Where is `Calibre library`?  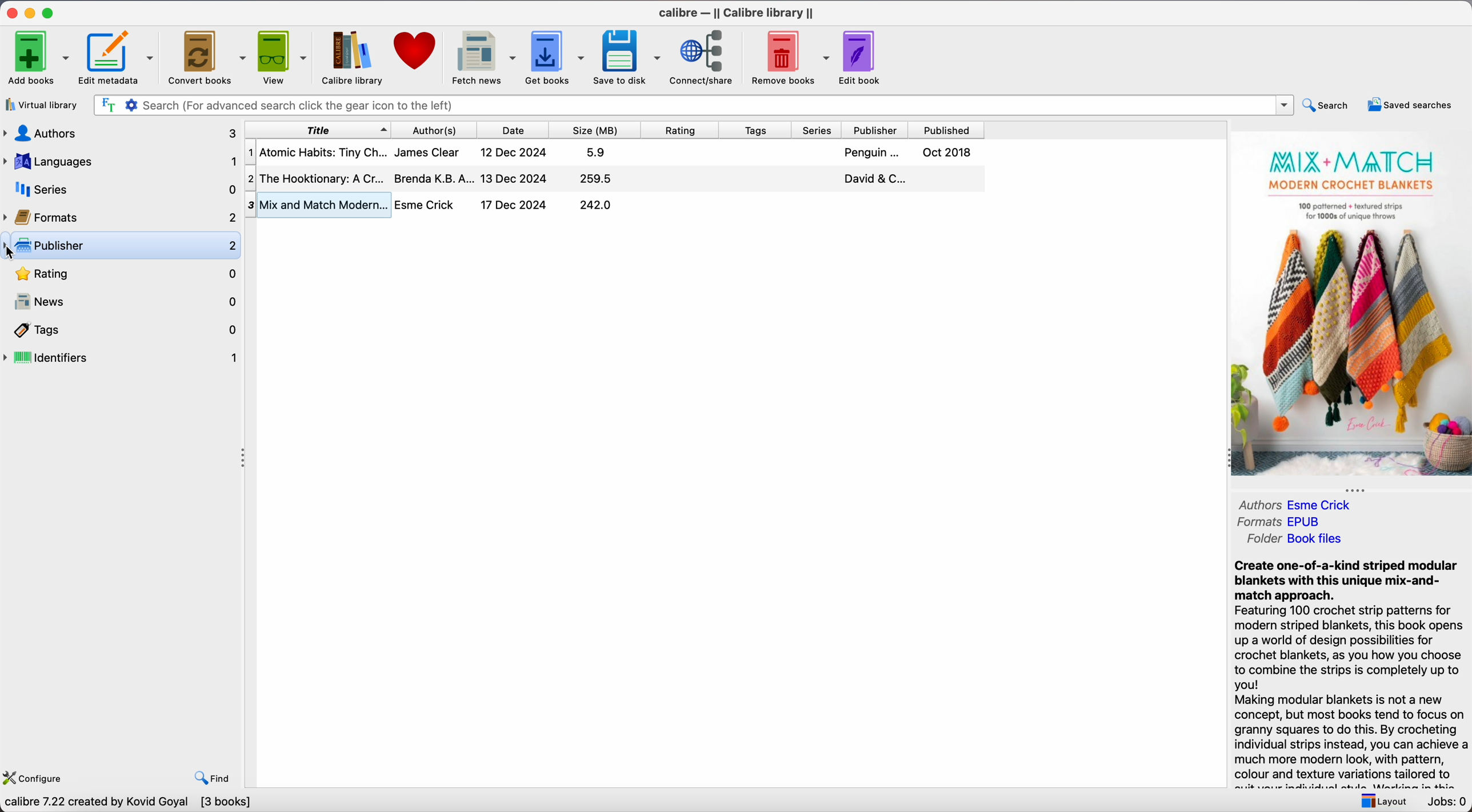
Calibre library is located at coordinates (353, 59).